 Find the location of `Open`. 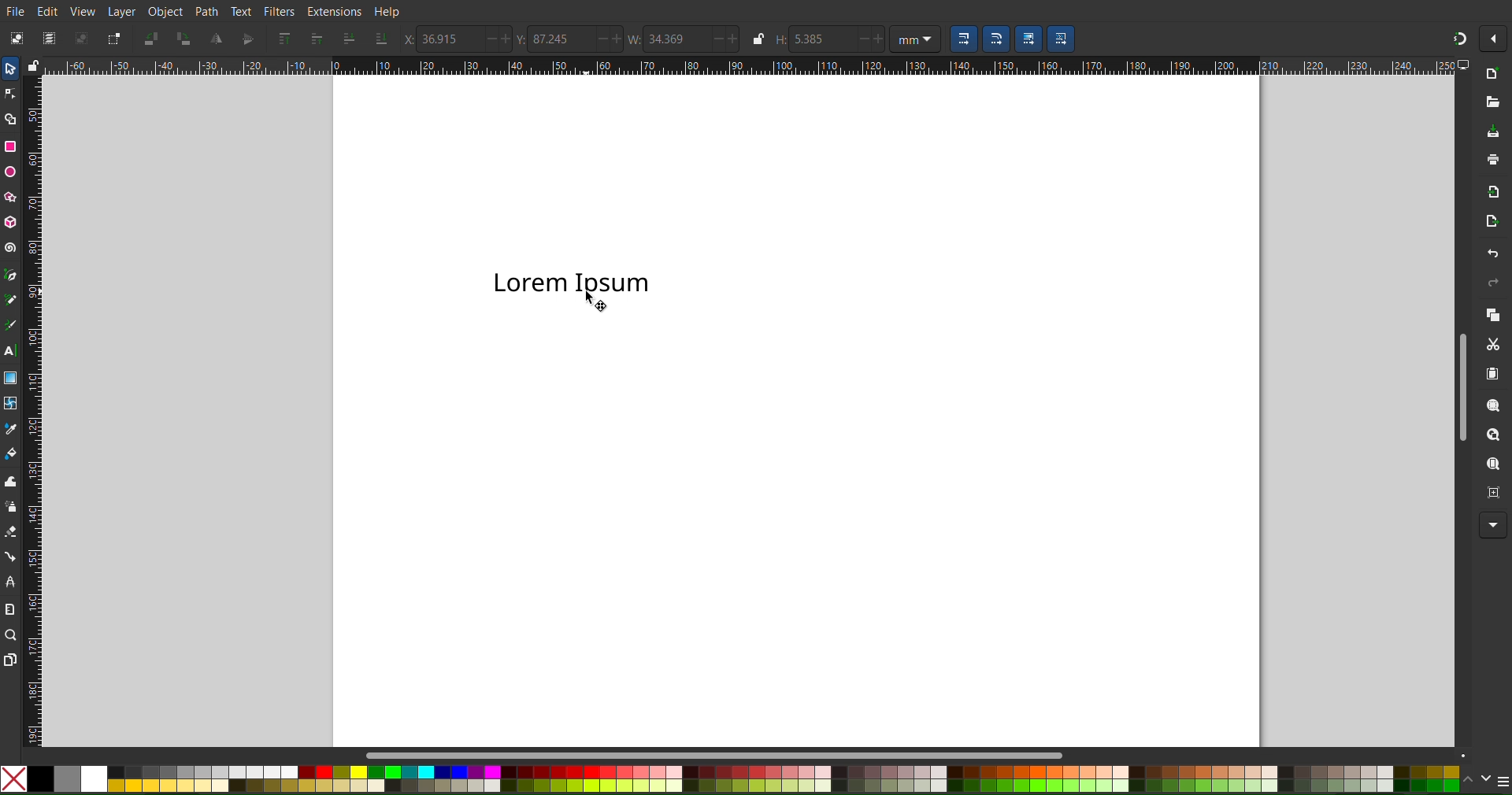

Open is located at coordinates (1492, 102).